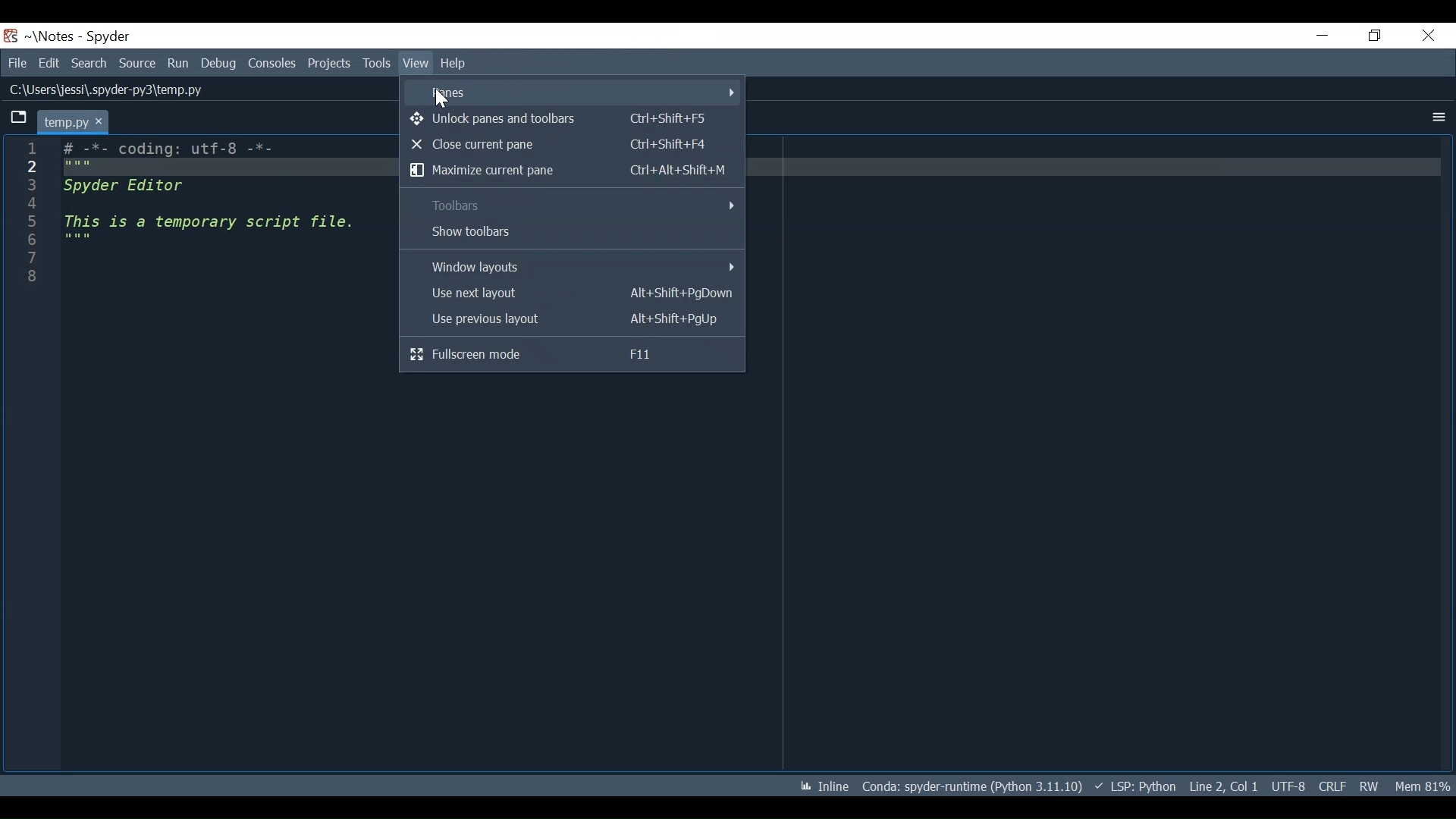 Image resolution: width=1456 pixels, height=819 pixels. Describe the element at coordinates (568, 146) in the screenshot. I see `Close current pane` at that location.